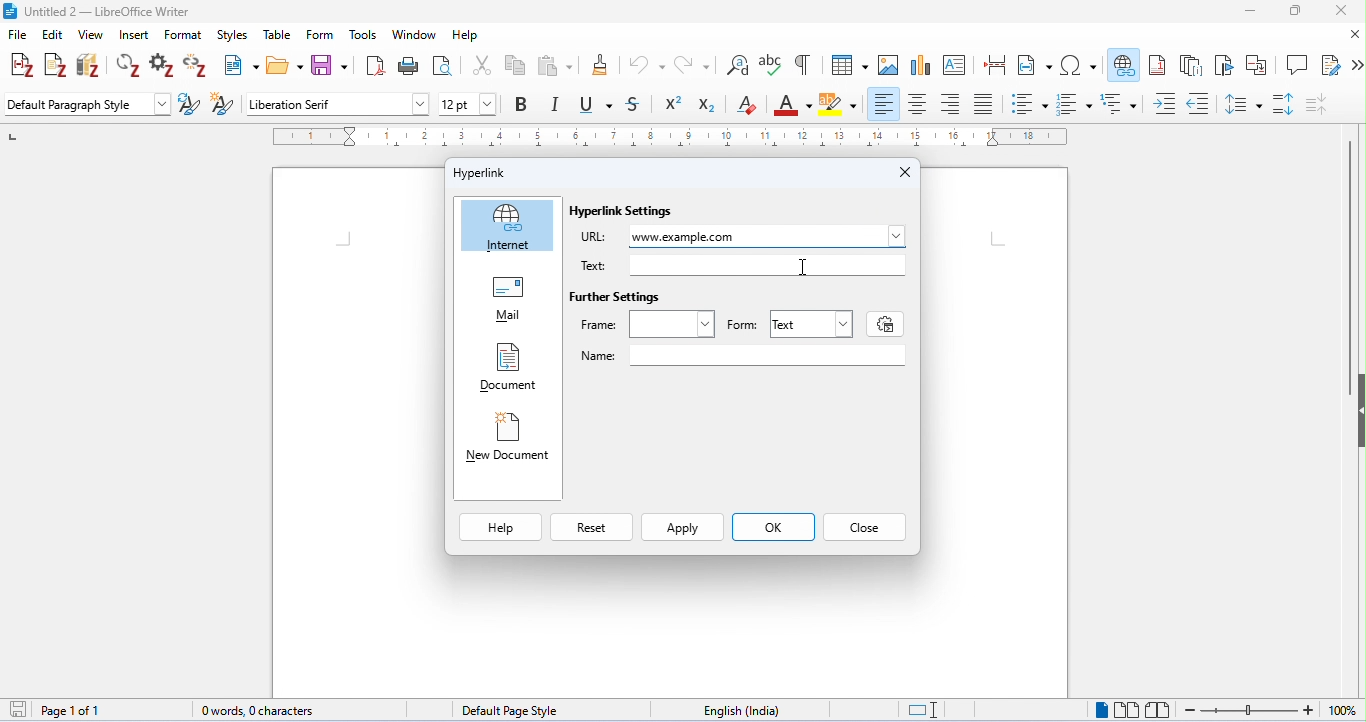  What do you see at coordinates (1134, 77) in the screenshot?
I see `cursor` at bounding box center [1134, 77].